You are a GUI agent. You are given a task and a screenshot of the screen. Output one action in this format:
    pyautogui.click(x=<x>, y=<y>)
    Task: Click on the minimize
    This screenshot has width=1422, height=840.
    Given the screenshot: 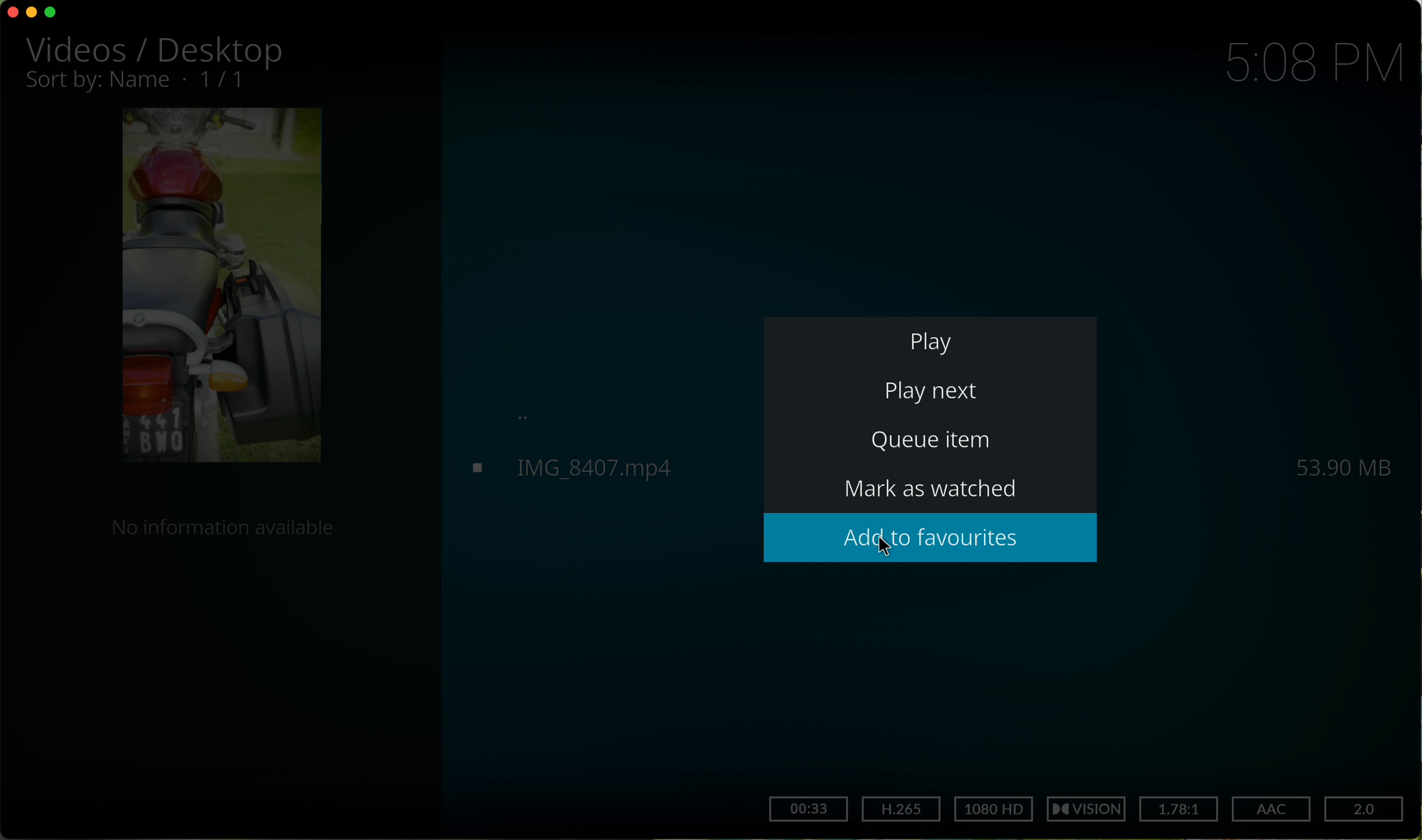 What is the action you would take?
    pyautogui.click(x=35, y=14)
    